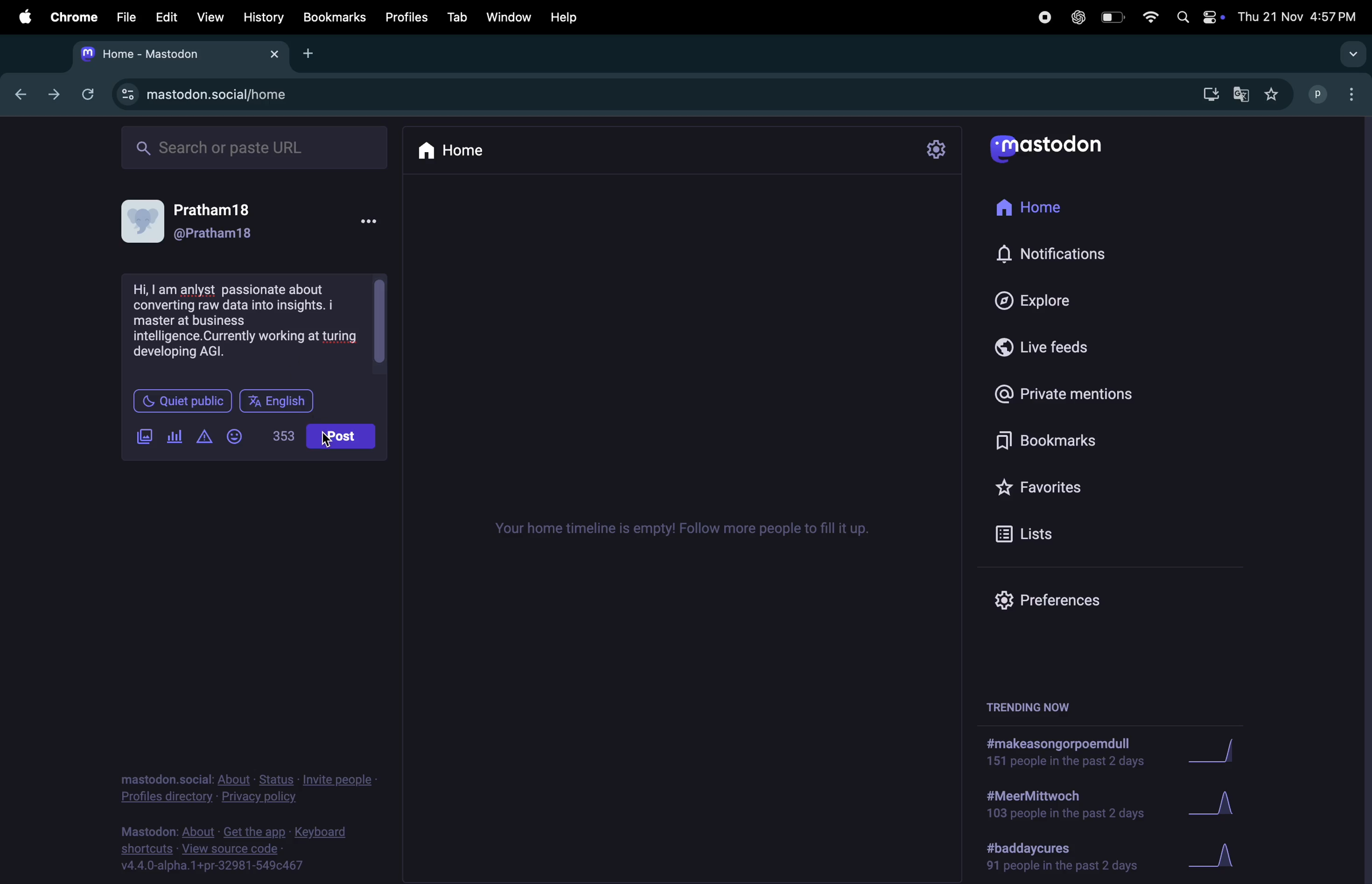 Image resolution: width=1372 pixels, height=884 pixels. What do you see at coordinates (256, 224) in the screenshot?
I see `user profile` at bounding box center [256, 224].